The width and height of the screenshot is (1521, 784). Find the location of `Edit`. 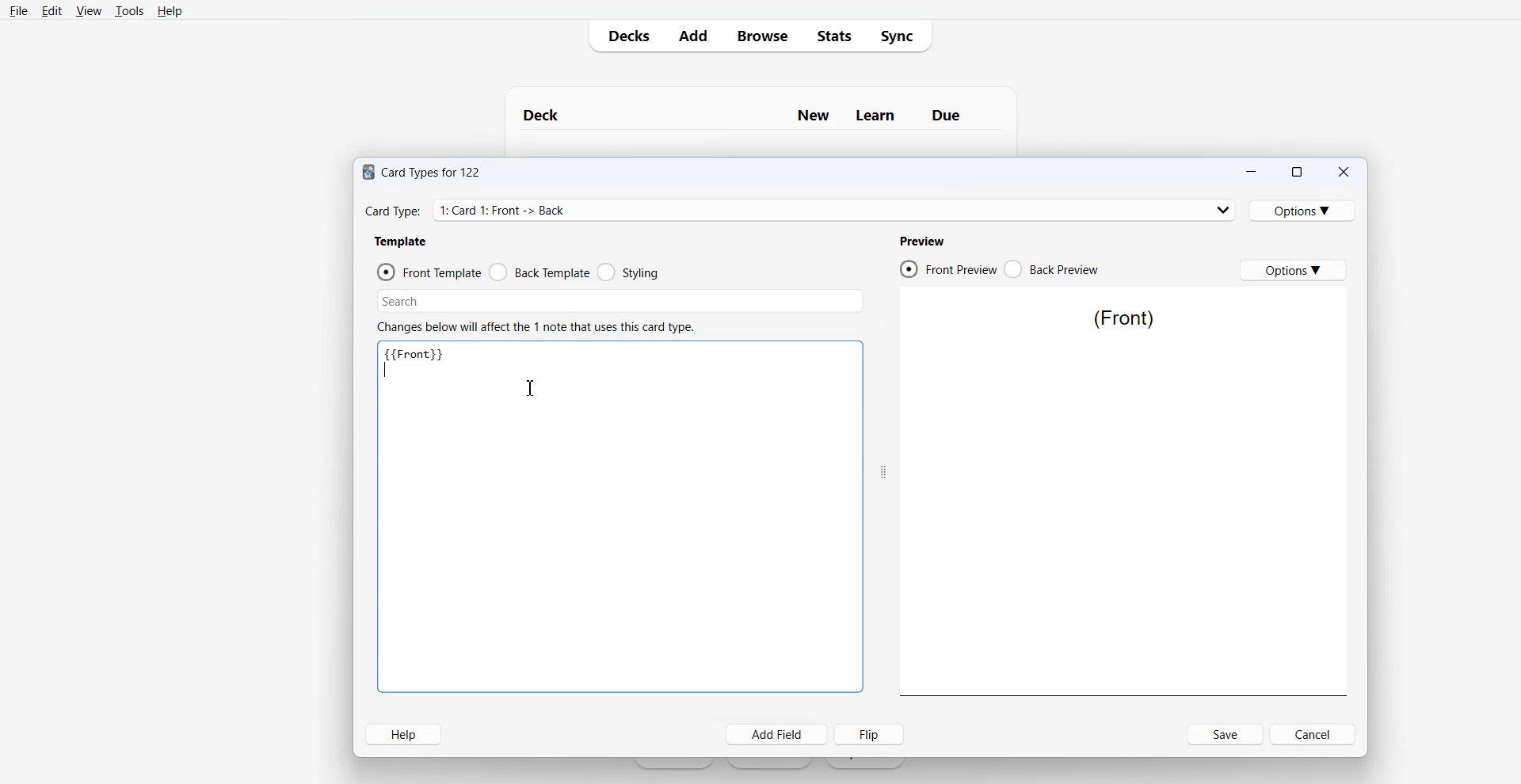

Edit is located at coordinates (51, 10).